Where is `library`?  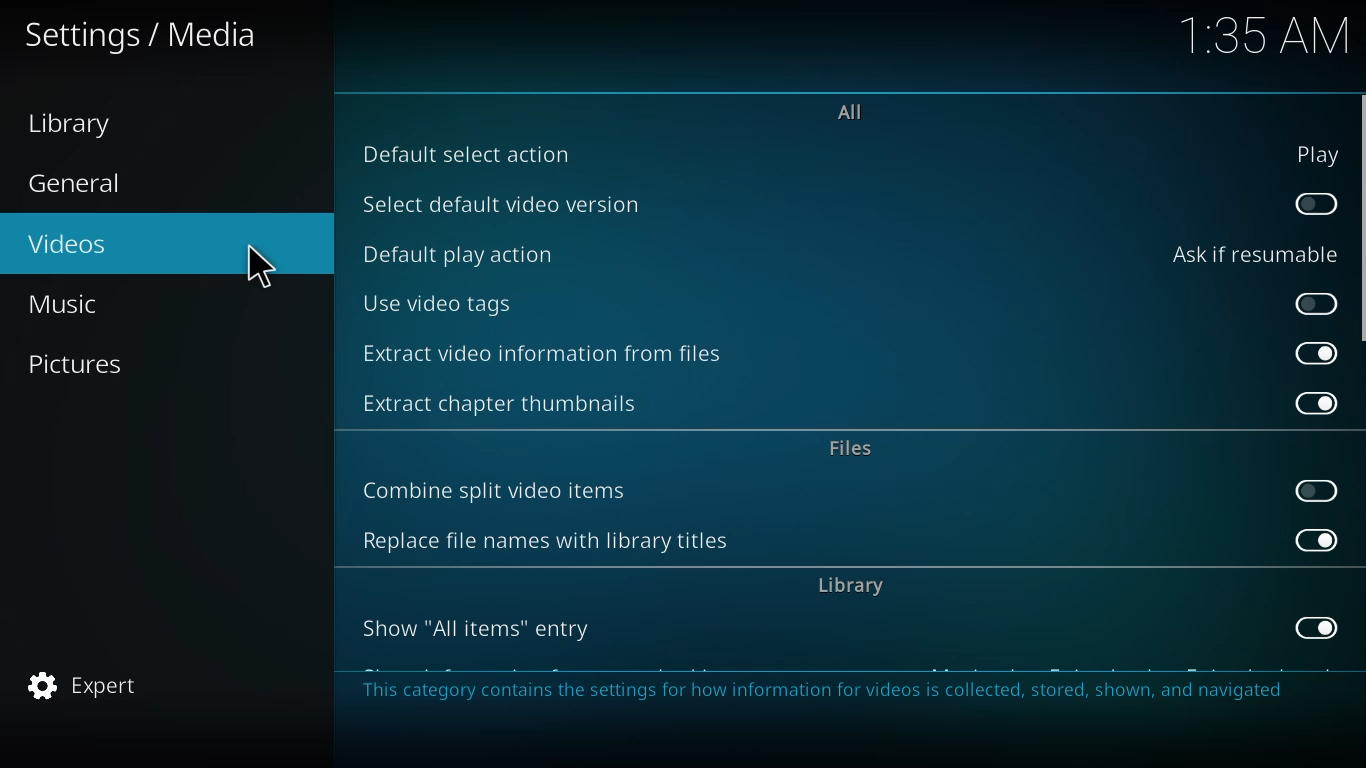
library is located at coordinates (851, 584).